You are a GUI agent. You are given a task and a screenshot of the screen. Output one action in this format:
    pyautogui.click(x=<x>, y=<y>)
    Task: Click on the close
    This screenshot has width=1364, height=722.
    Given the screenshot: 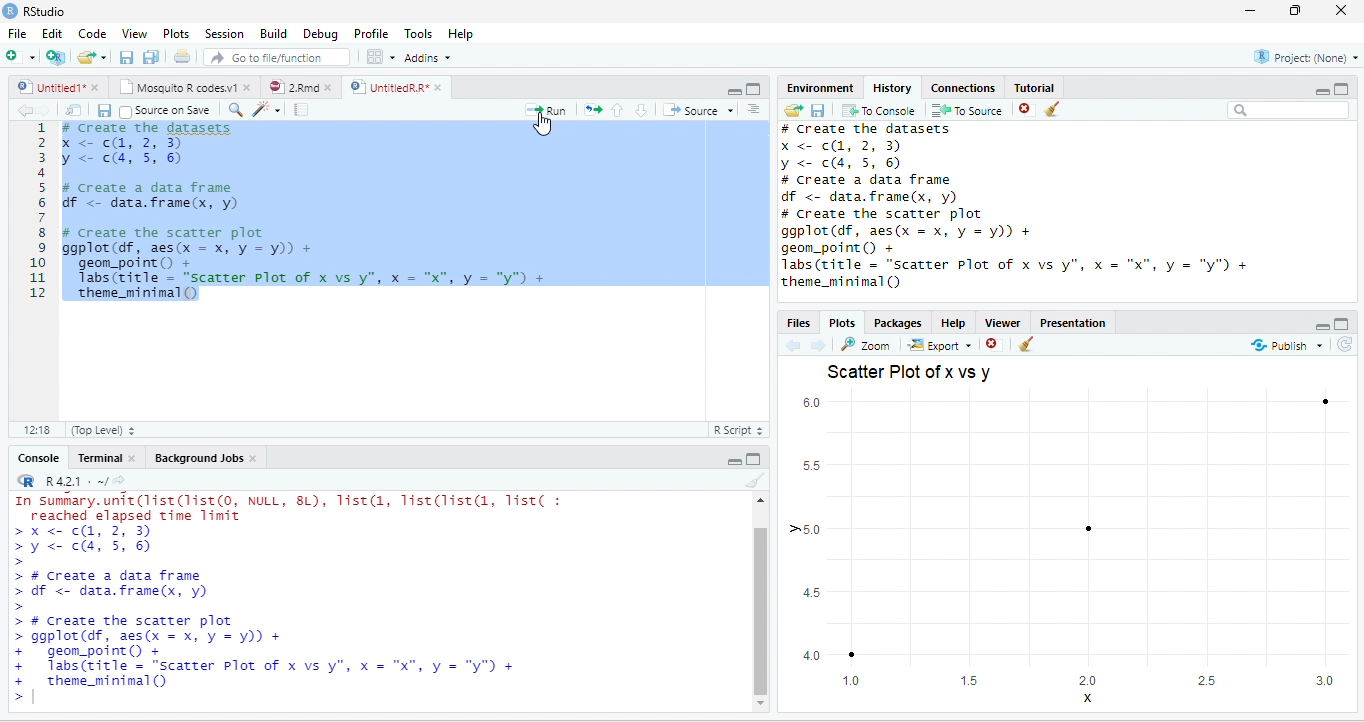 What is the action you would take?
    pyautogui.click(x=95, y=87)
    